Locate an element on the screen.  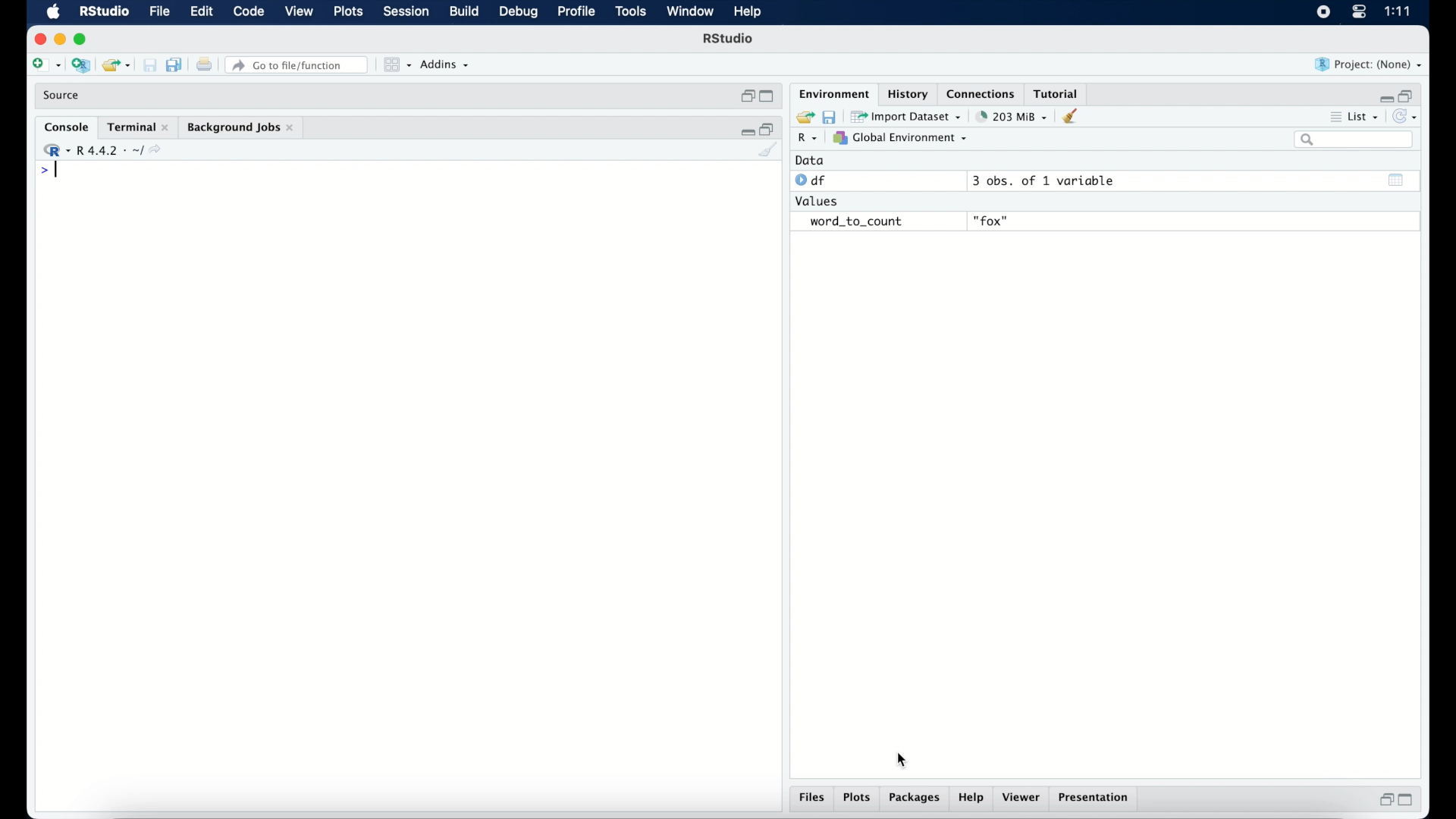
word_to_count is located at coordinates (854, 222).